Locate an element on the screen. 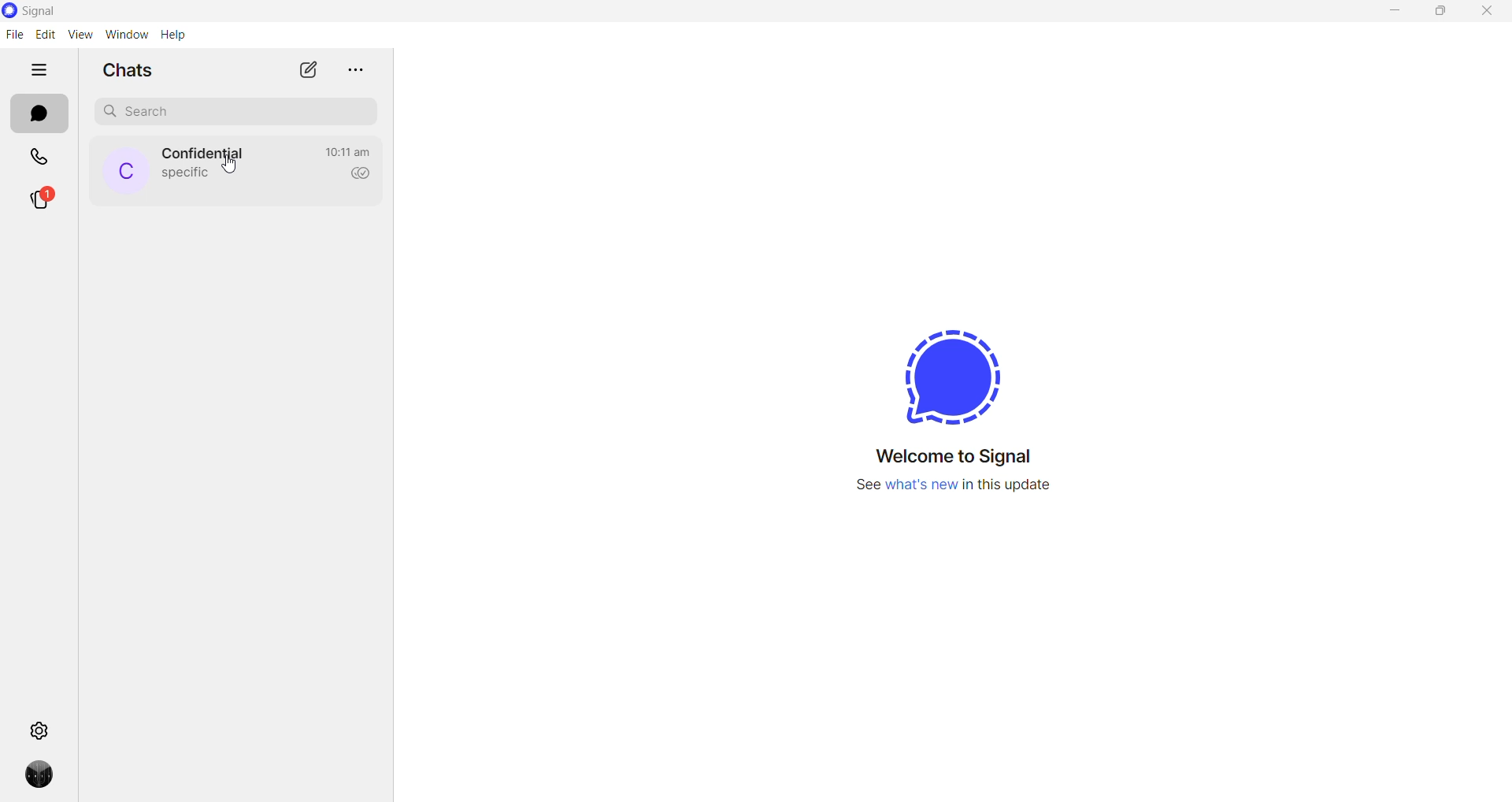 The width and height of the screenshot is (1512, 802). minimize is located at coordinates (1397, 12).